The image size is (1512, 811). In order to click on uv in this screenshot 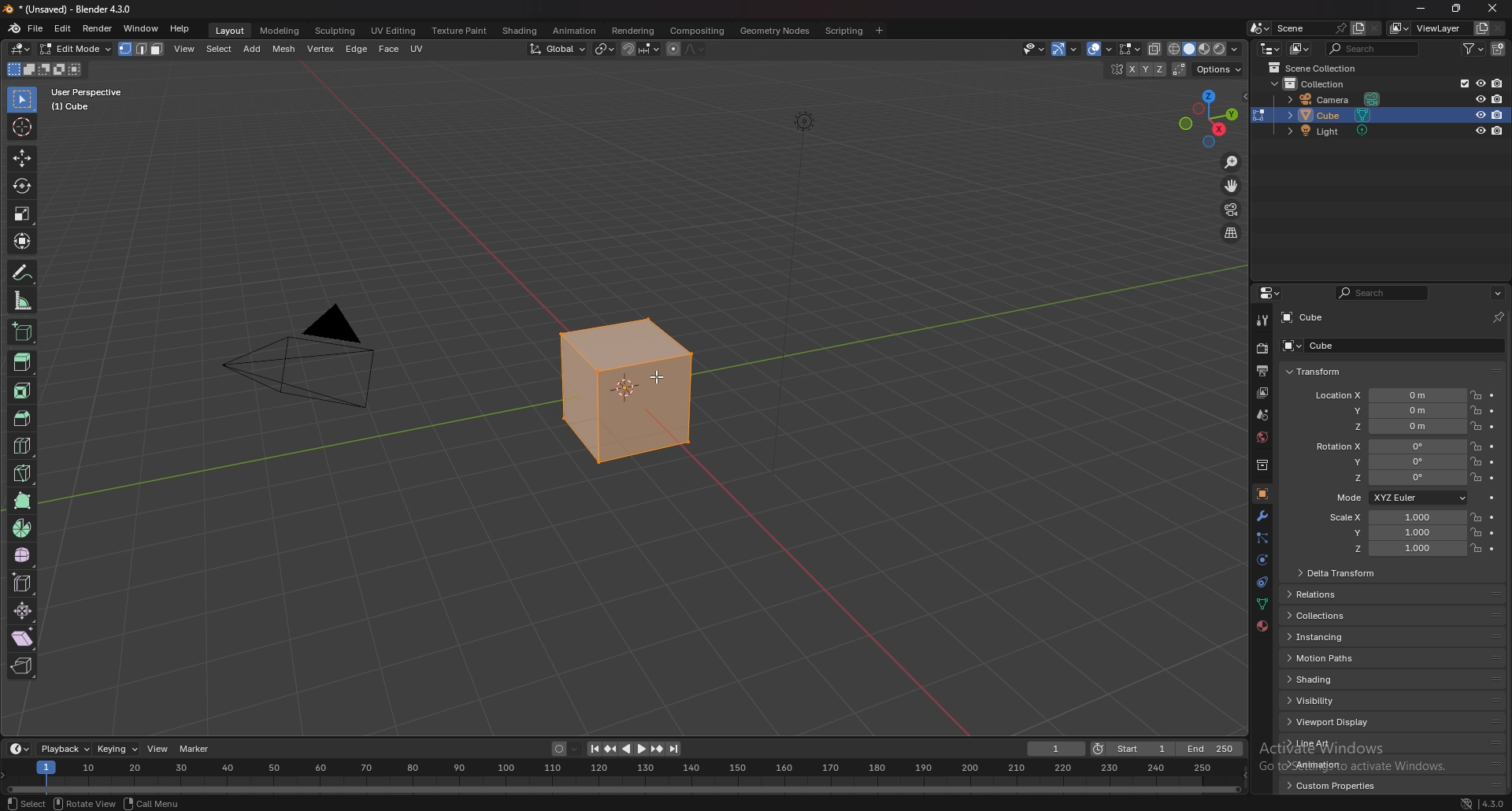, I will do `click(419, 47)`.